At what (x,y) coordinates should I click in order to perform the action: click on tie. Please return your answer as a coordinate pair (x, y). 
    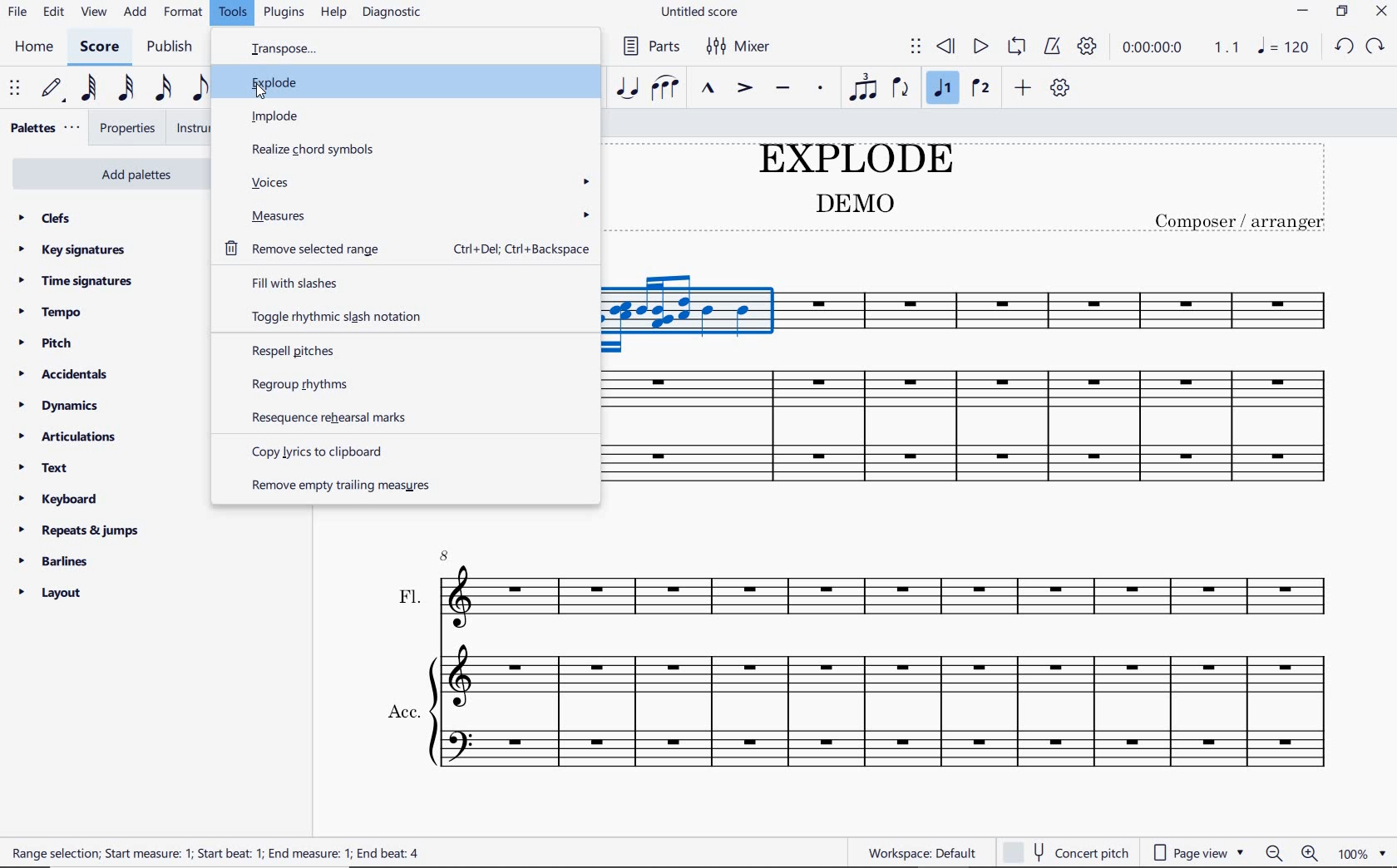
    Looking at the image, I should click on (627, 86).